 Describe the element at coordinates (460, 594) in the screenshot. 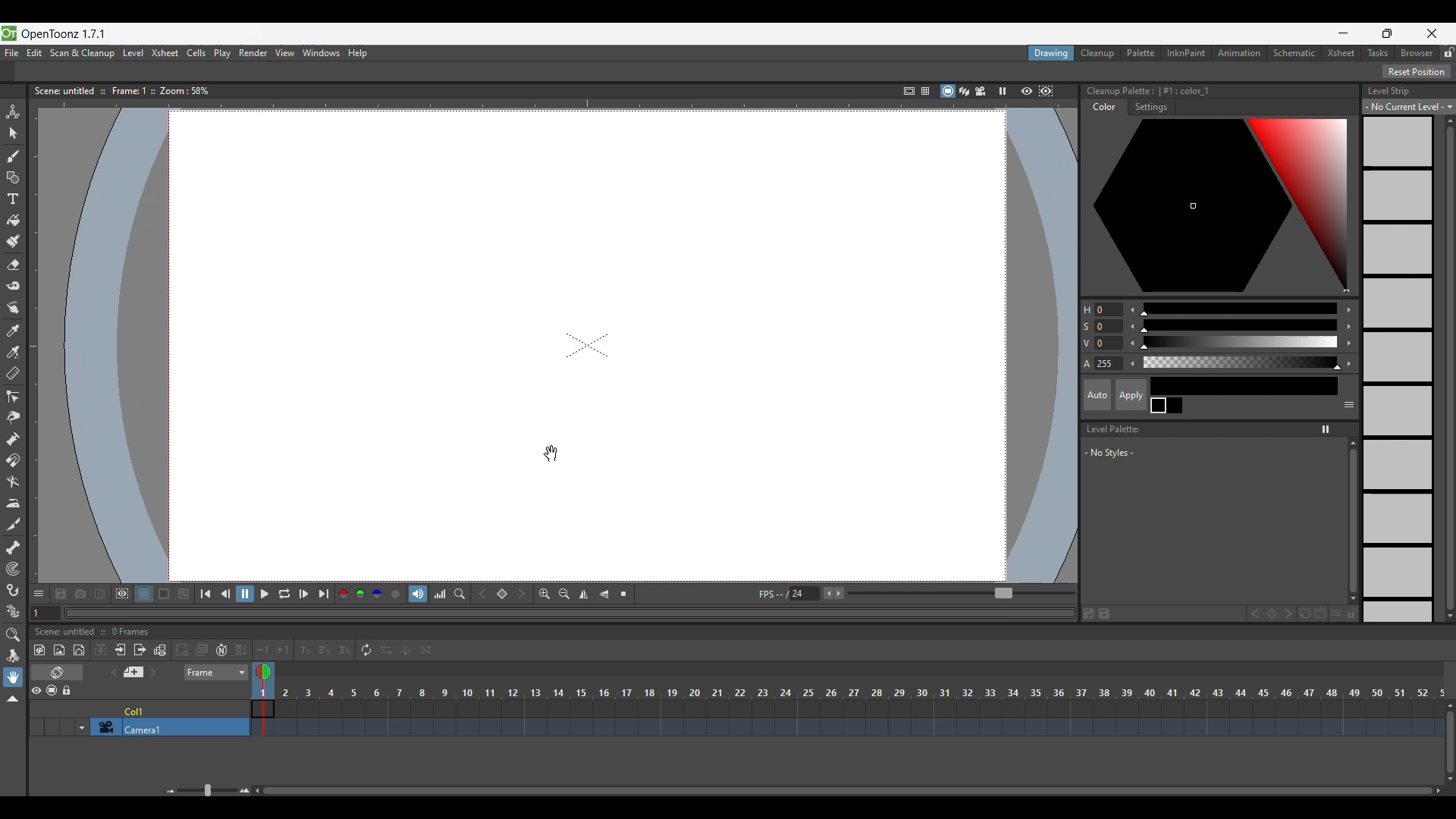

I see `Locator` at that location.